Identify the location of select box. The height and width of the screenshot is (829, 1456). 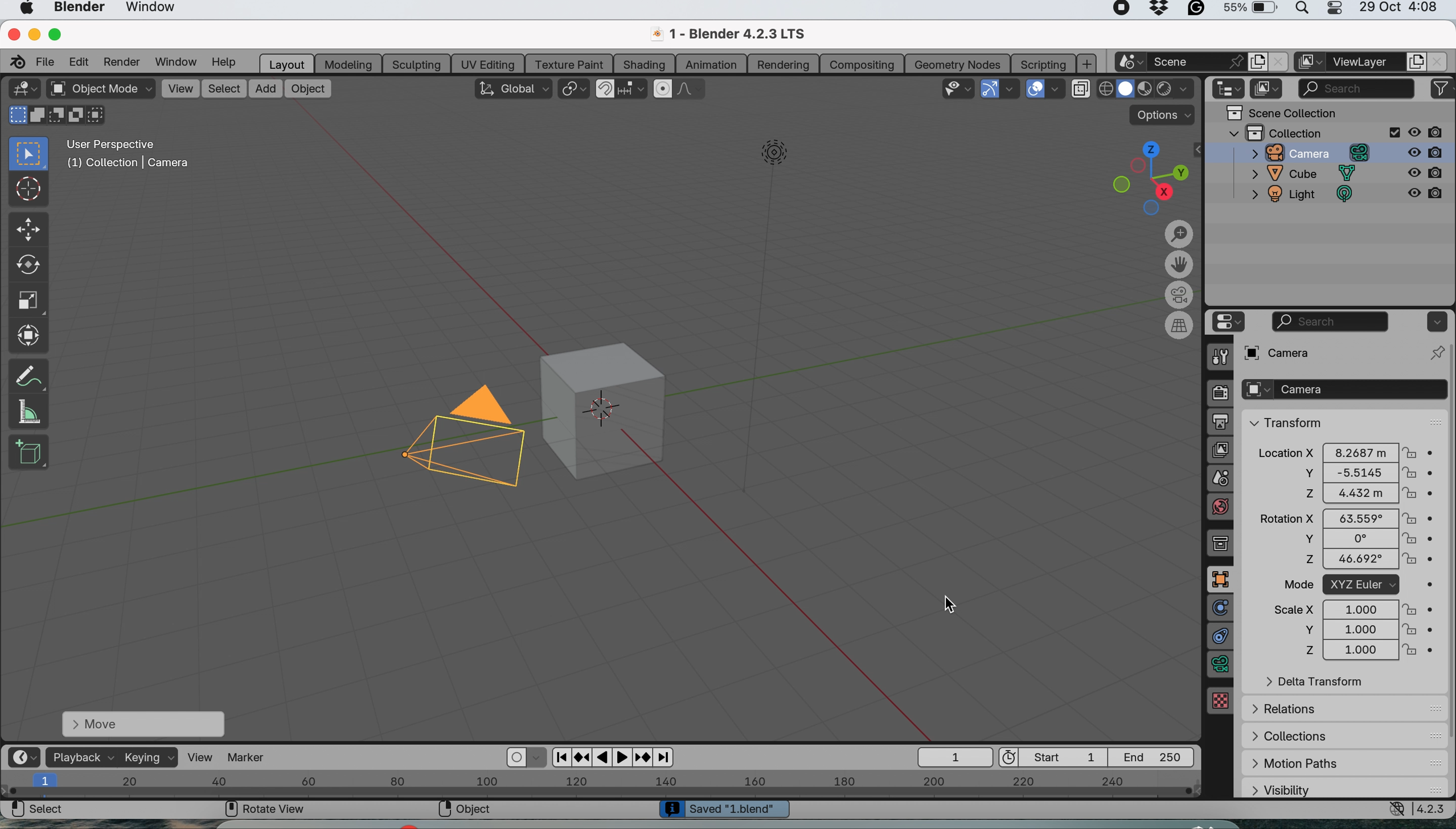
(29, 154).